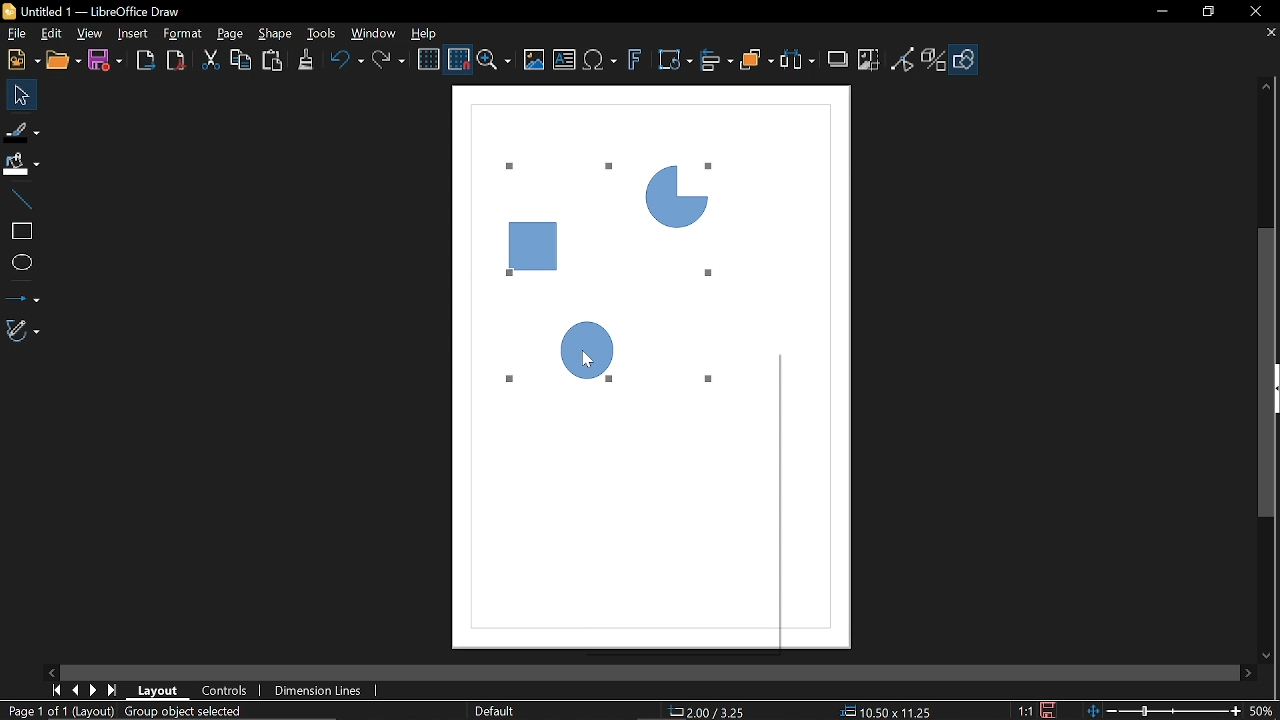  Describe the element at coordinates (232, 35) in the screenshot. I see `page` at that location.